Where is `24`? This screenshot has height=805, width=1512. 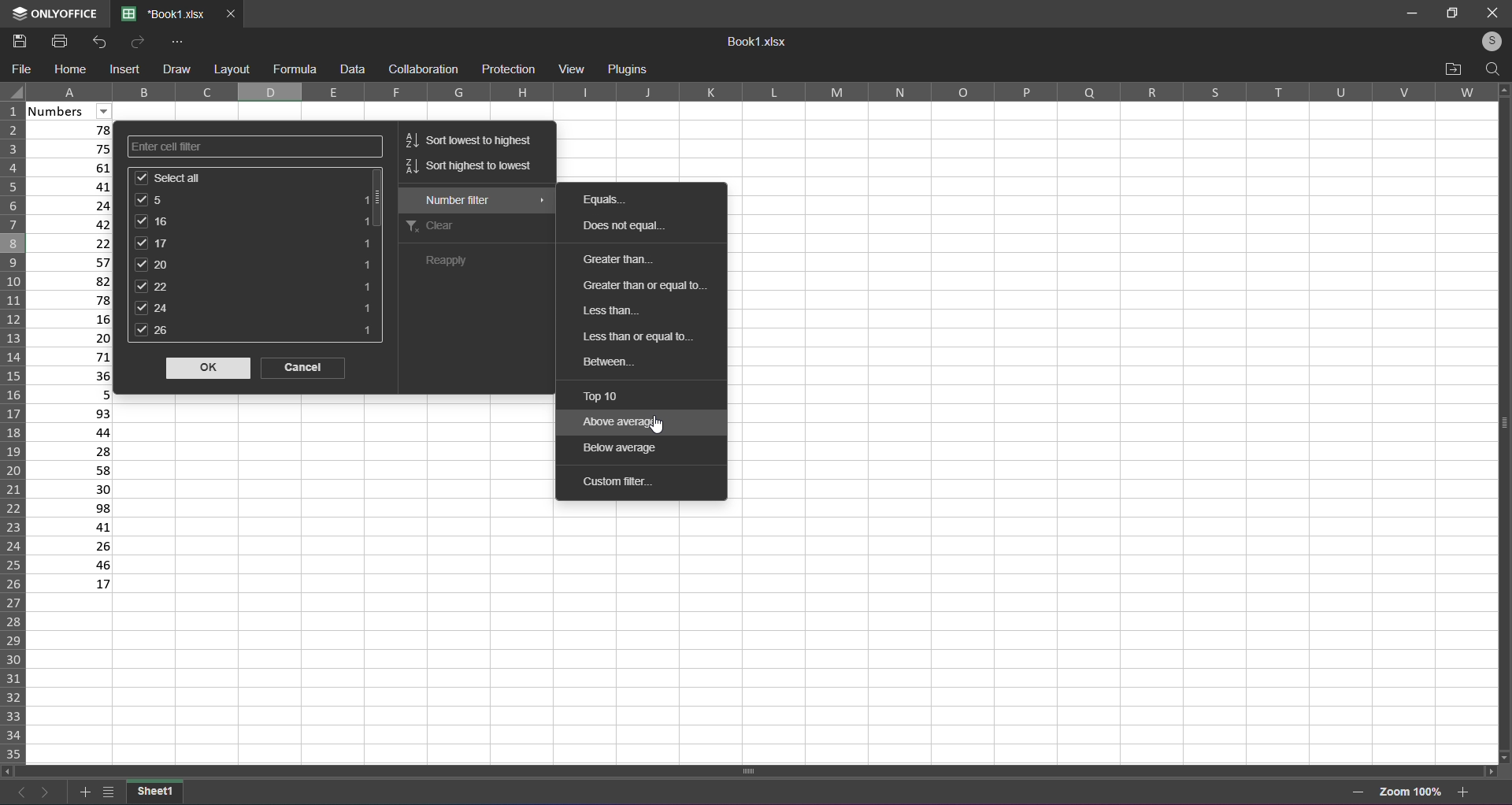
24 is located at coordinates (254, 308).